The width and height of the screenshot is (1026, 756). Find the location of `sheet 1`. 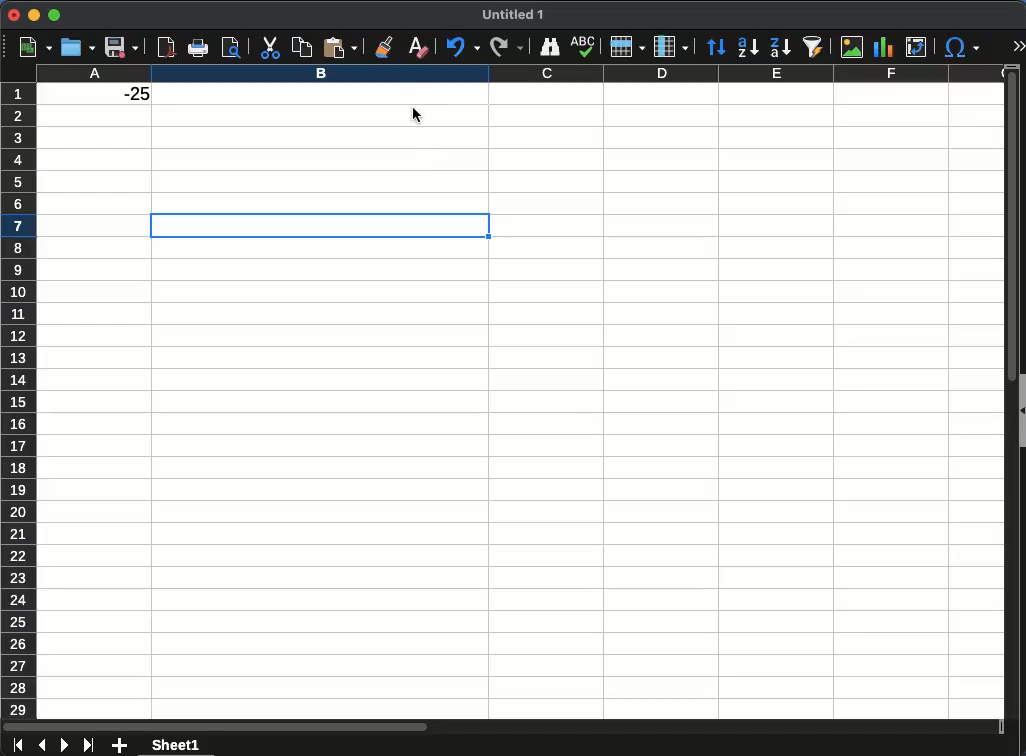

sheet 1 is located at coordinates (174, 744).